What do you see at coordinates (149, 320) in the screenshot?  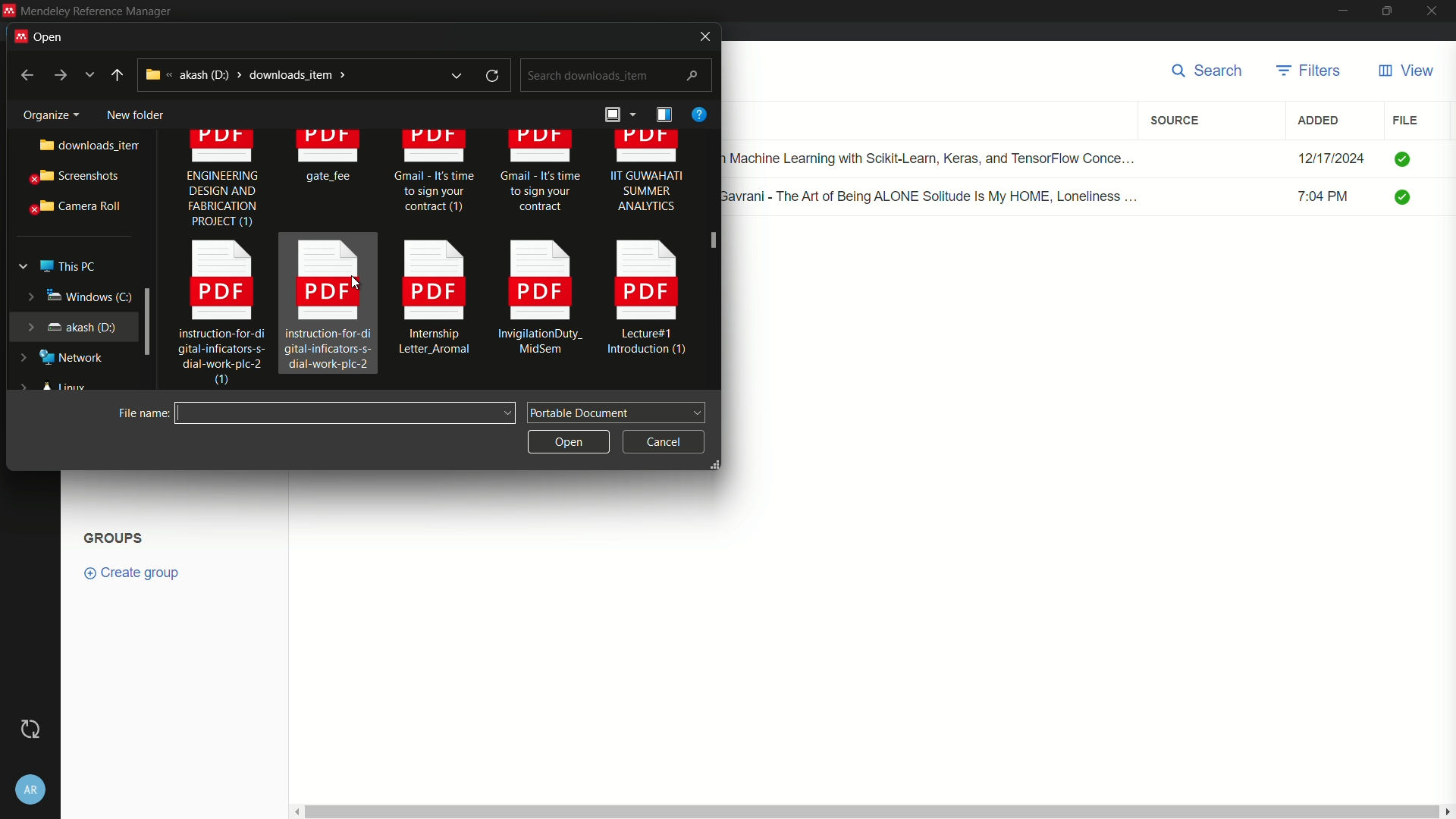 I see `expand window` at bounding box center [149, 320].